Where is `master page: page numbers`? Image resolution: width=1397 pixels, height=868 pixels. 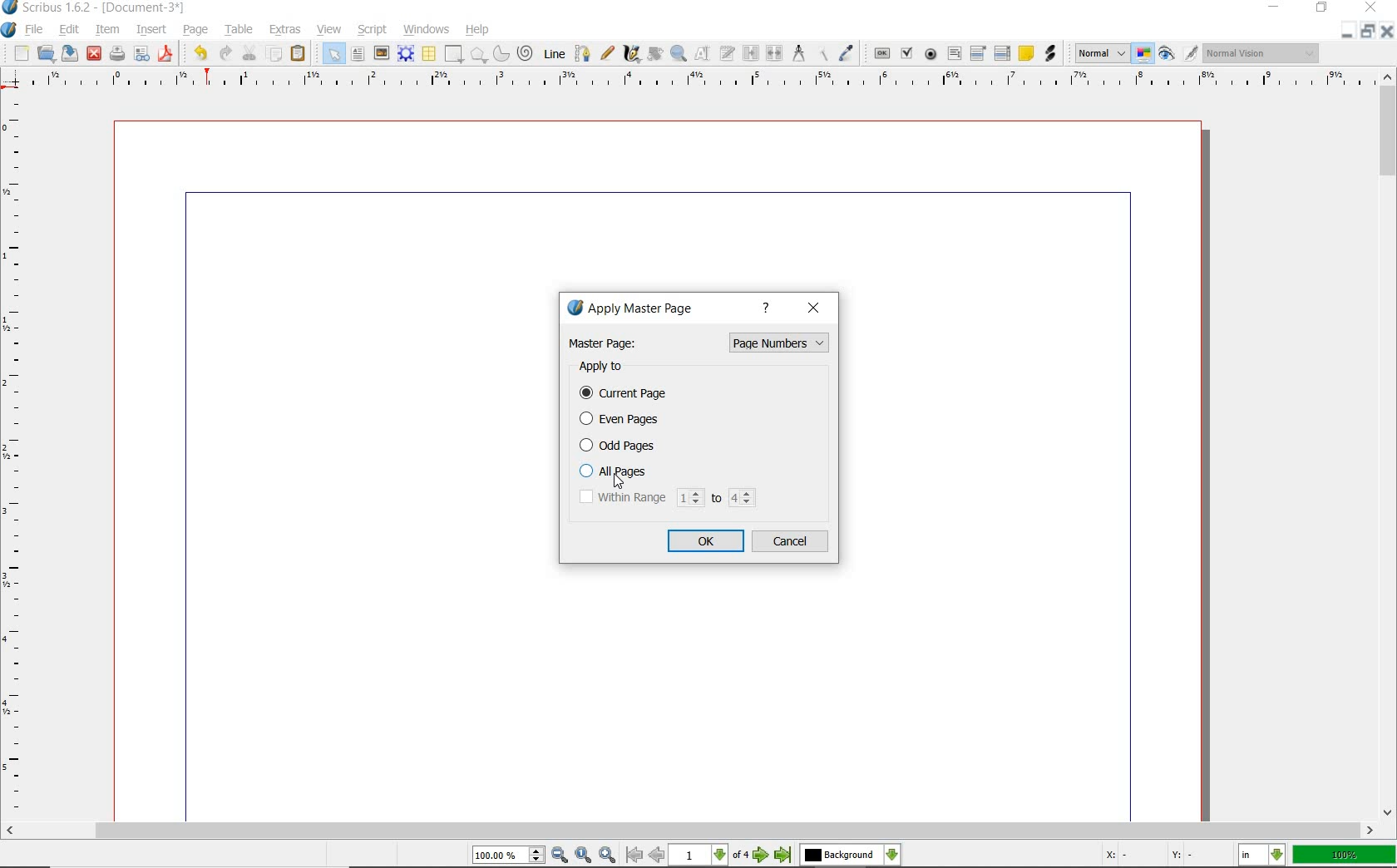 master page: page numbers is located at coordinates (698, 343).